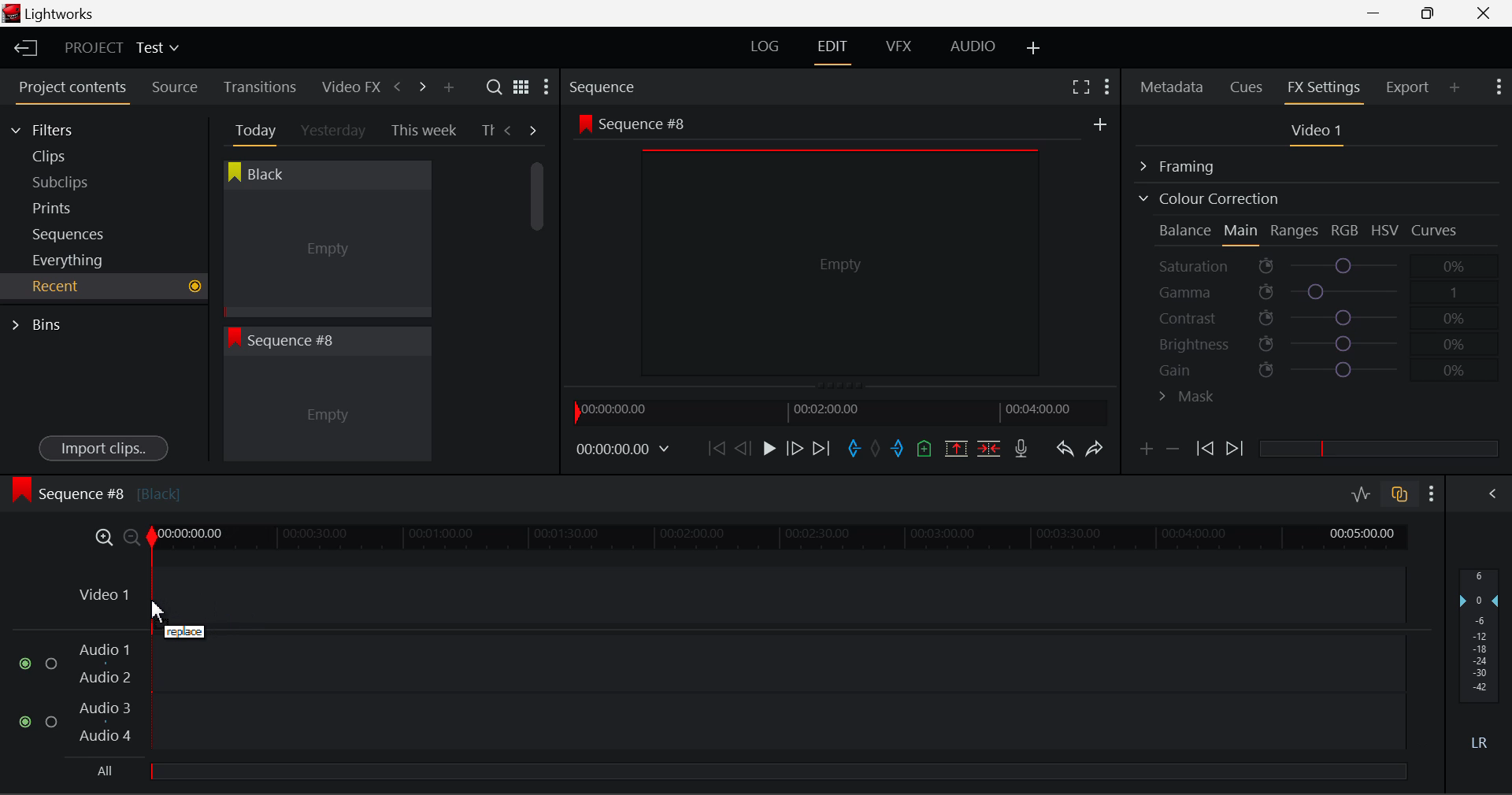  I want to click on Full Screen, so click(1080, 86).